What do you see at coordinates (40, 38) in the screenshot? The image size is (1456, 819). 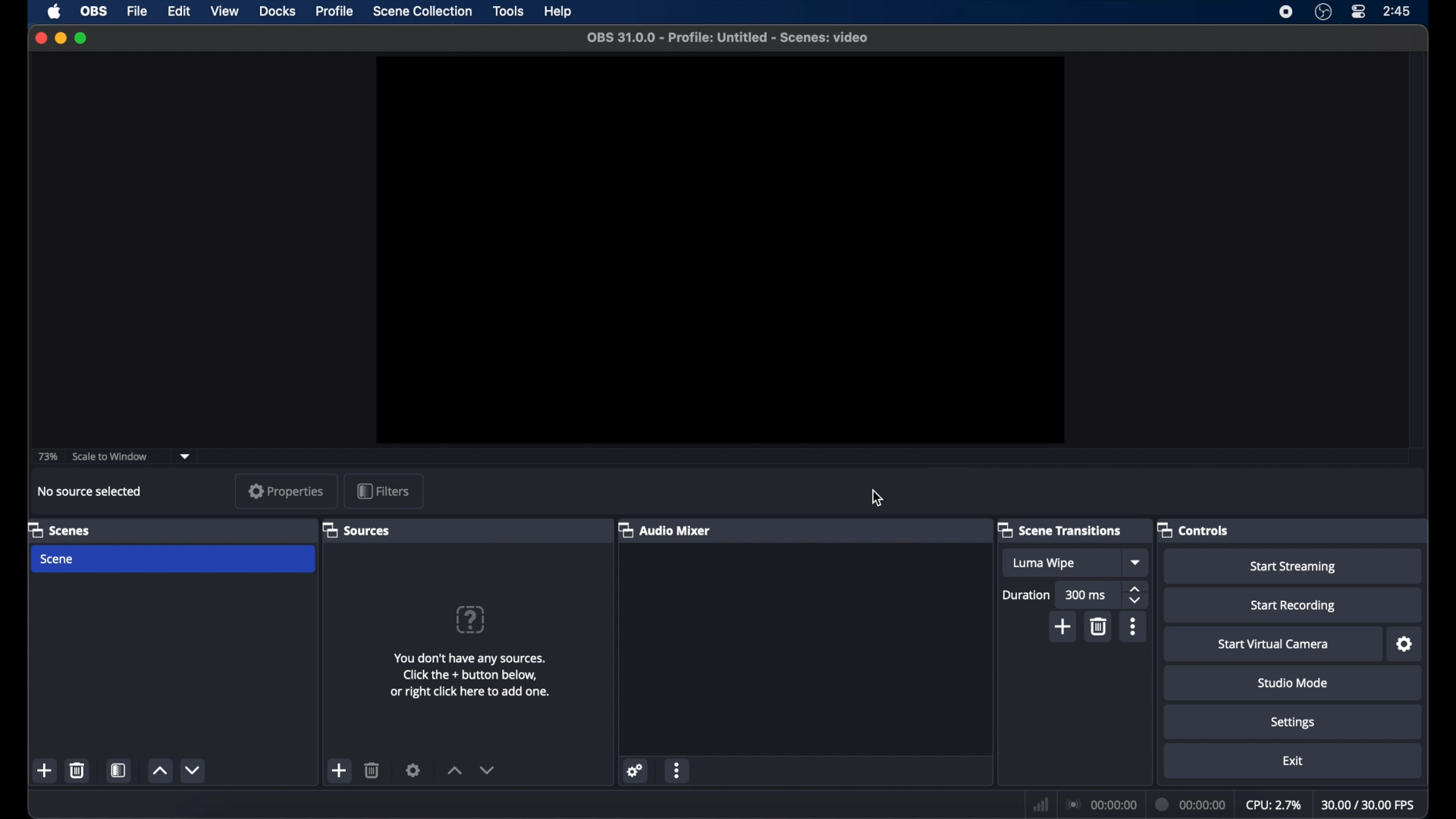 I see `close` at bounding box center [40, 38].